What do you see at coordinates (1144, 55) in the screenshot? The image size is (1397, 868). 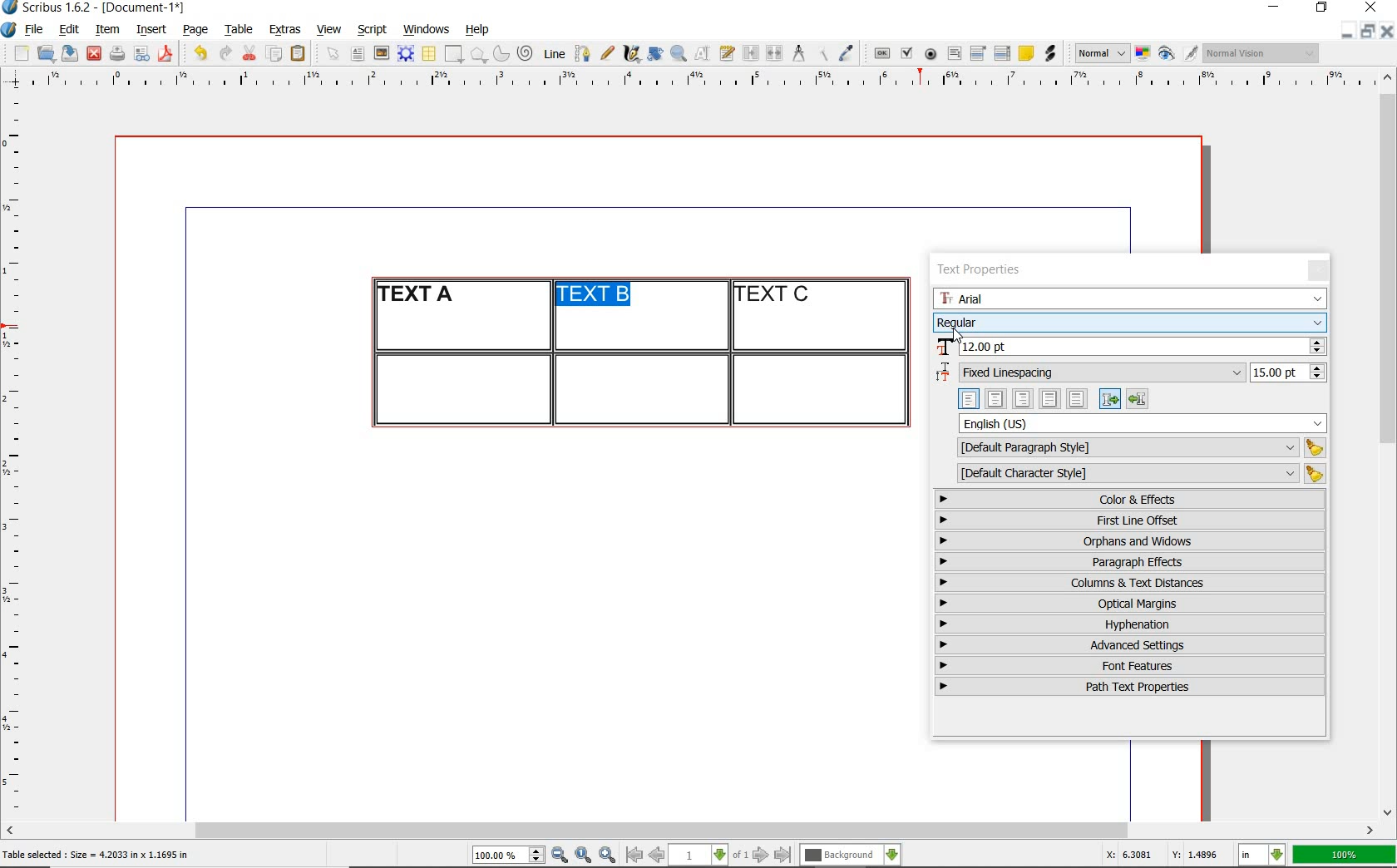 I see `toggle color management` at bounding box center [1144, 55].